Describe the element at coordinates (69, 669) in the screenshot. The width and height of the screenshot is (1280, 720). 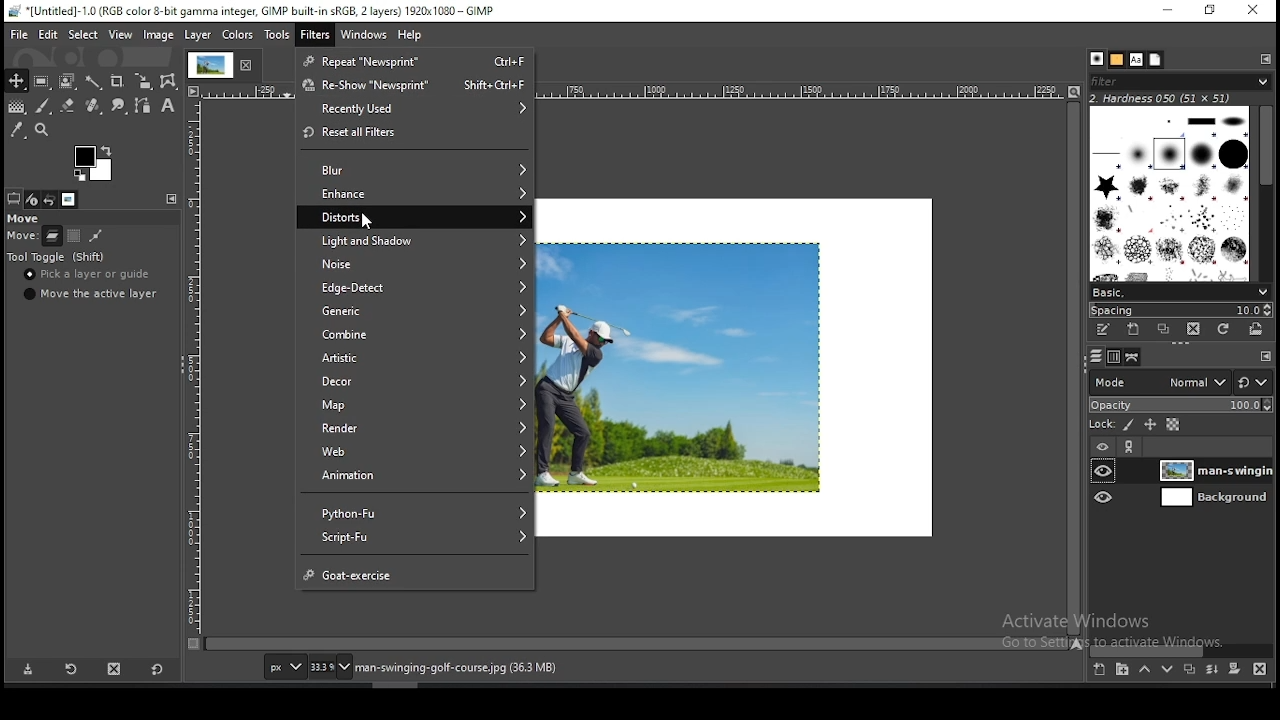
I see `restore tool preset` at that location.